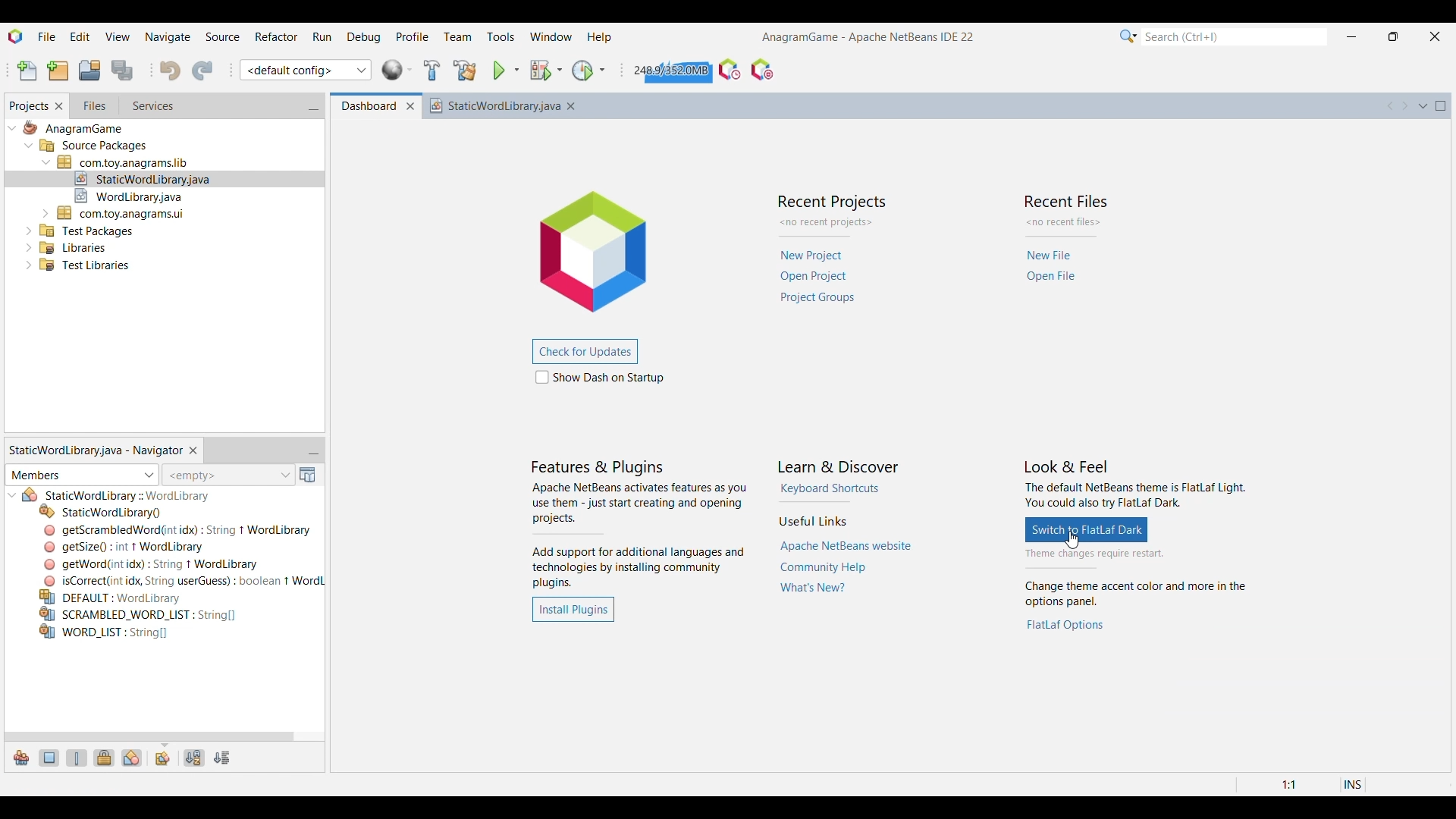  What do you see at coordinates (117, 597) in the screenshot?
I see `` at bounding box center [117, 597].